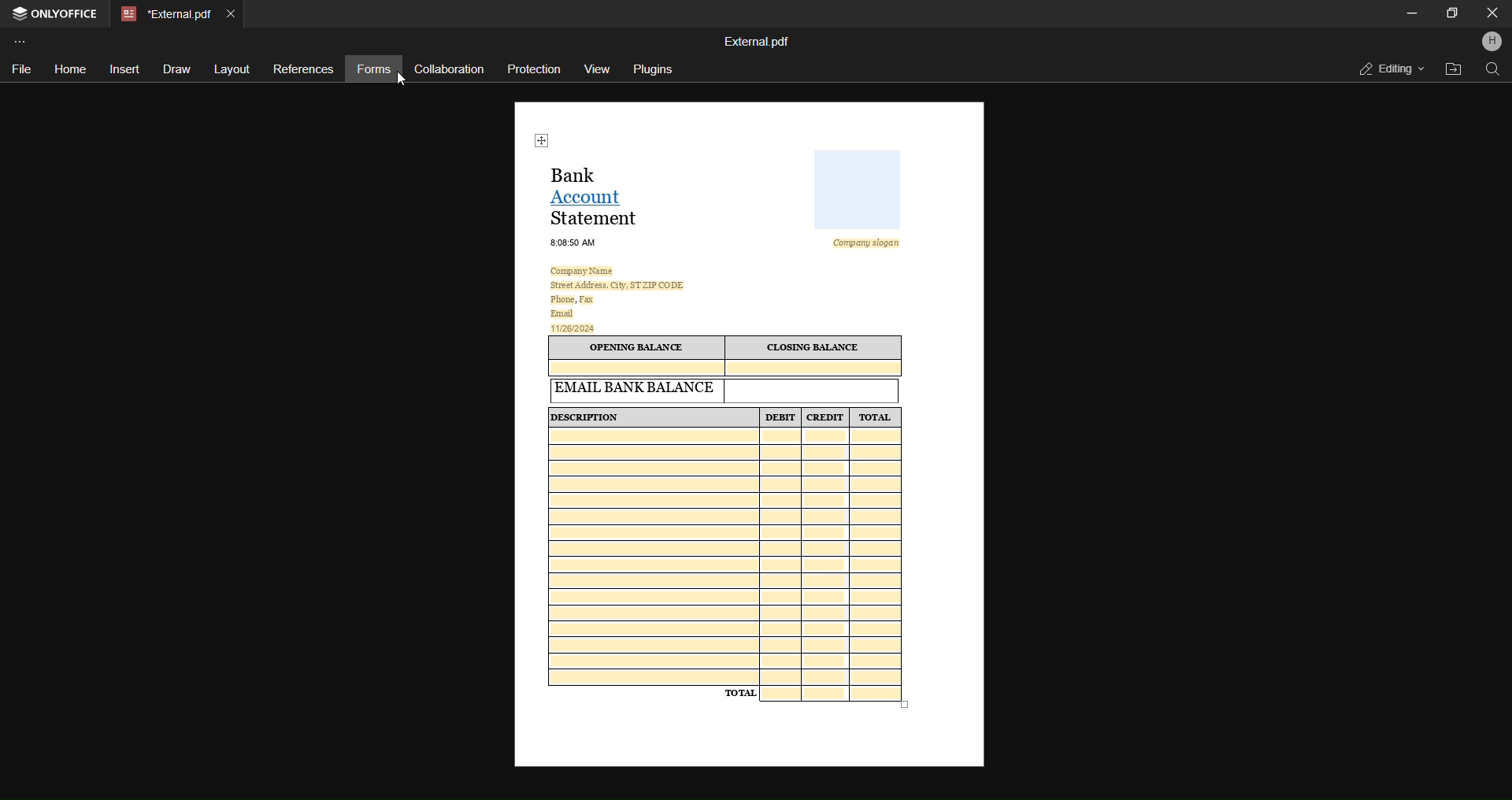  I want to click on draw, so click(176, 69).